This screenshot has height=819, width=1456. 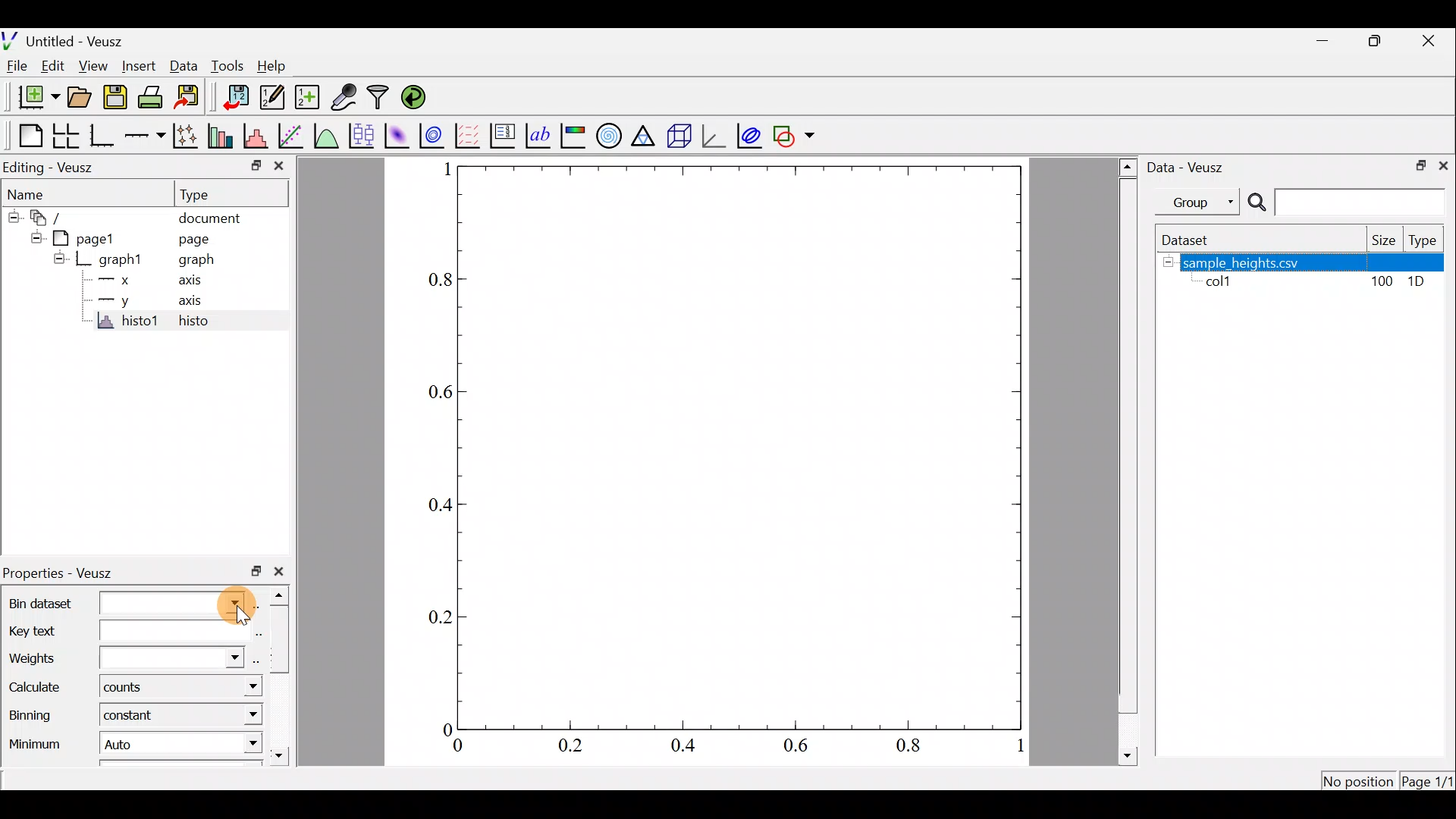 What do you see at coordinates (255, 659) in the screenshot?
I see `select using dataset browser` at bounding box center [255, 659].